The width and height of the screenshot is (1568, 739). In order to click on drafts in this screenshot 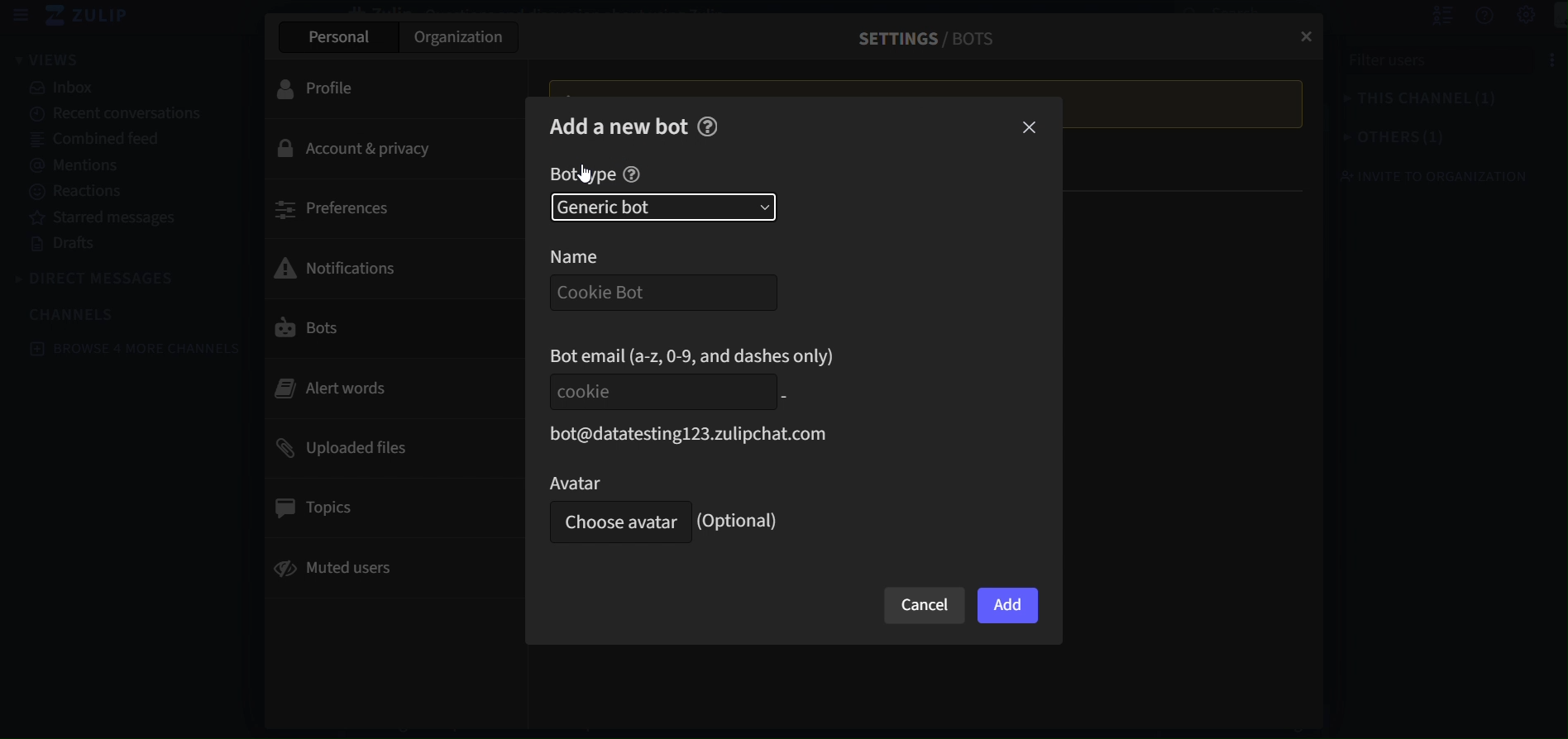, I will do `click(117, 245)`.